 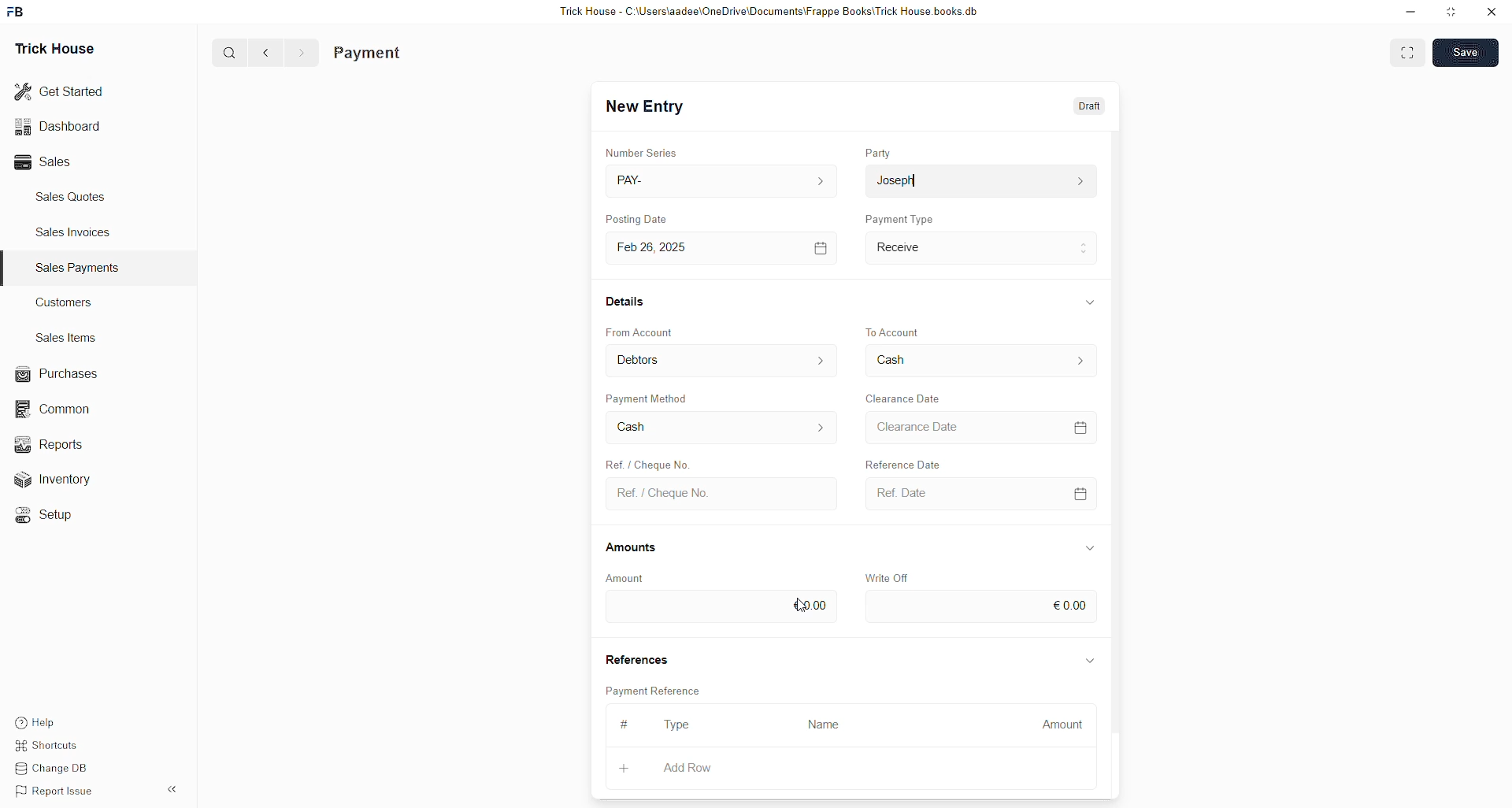 What do you see at coordinates (646, 462) in the screenshot?
I see `Ref. / Cheque No.` at bounding box center [646, 462].